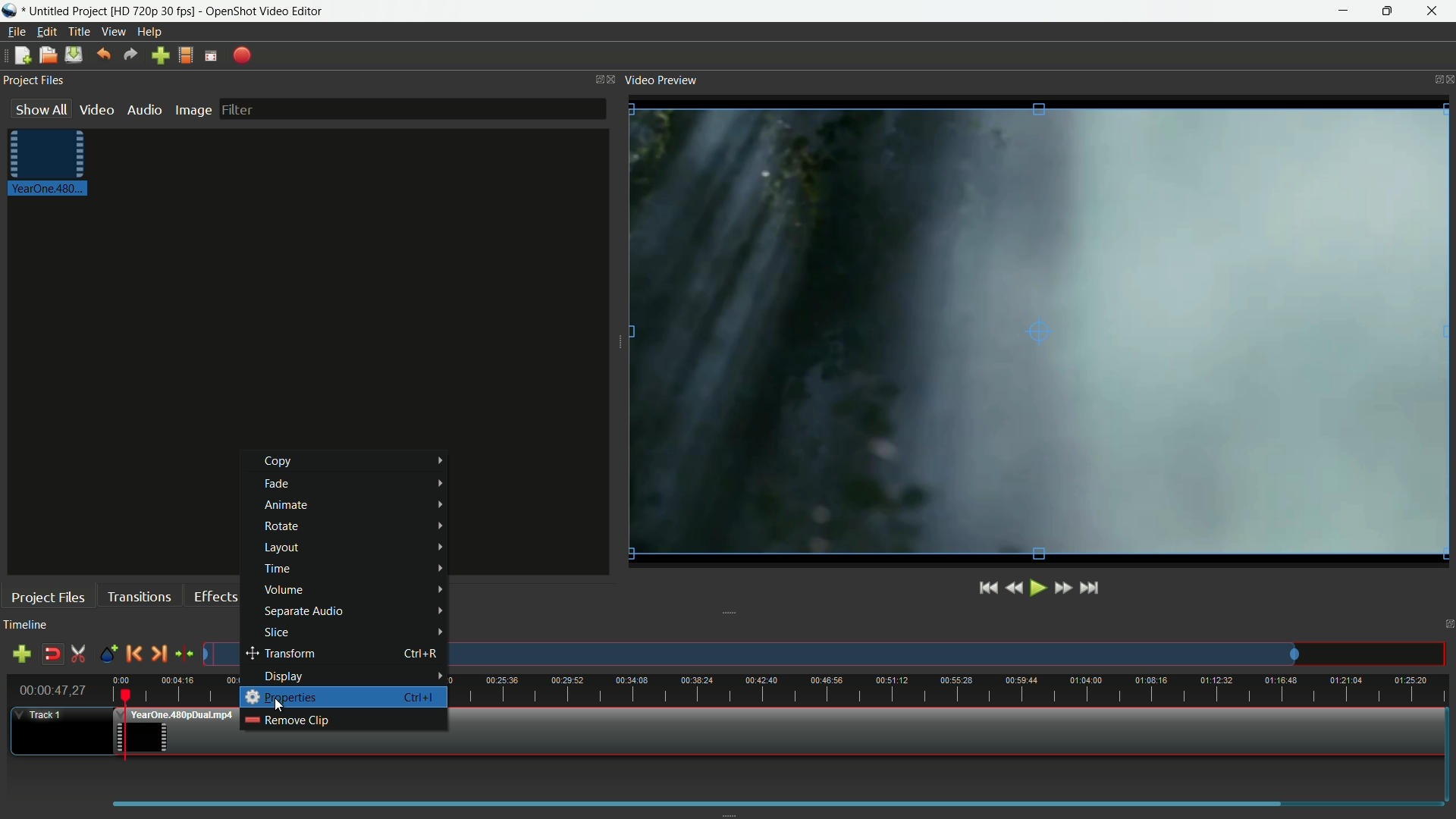 The width and height of the screenshot is (1456, 819). What do you see at coordinates (1065, 587) in the screenshot?
I see `fast forward` at bounding box center [1065, 587].